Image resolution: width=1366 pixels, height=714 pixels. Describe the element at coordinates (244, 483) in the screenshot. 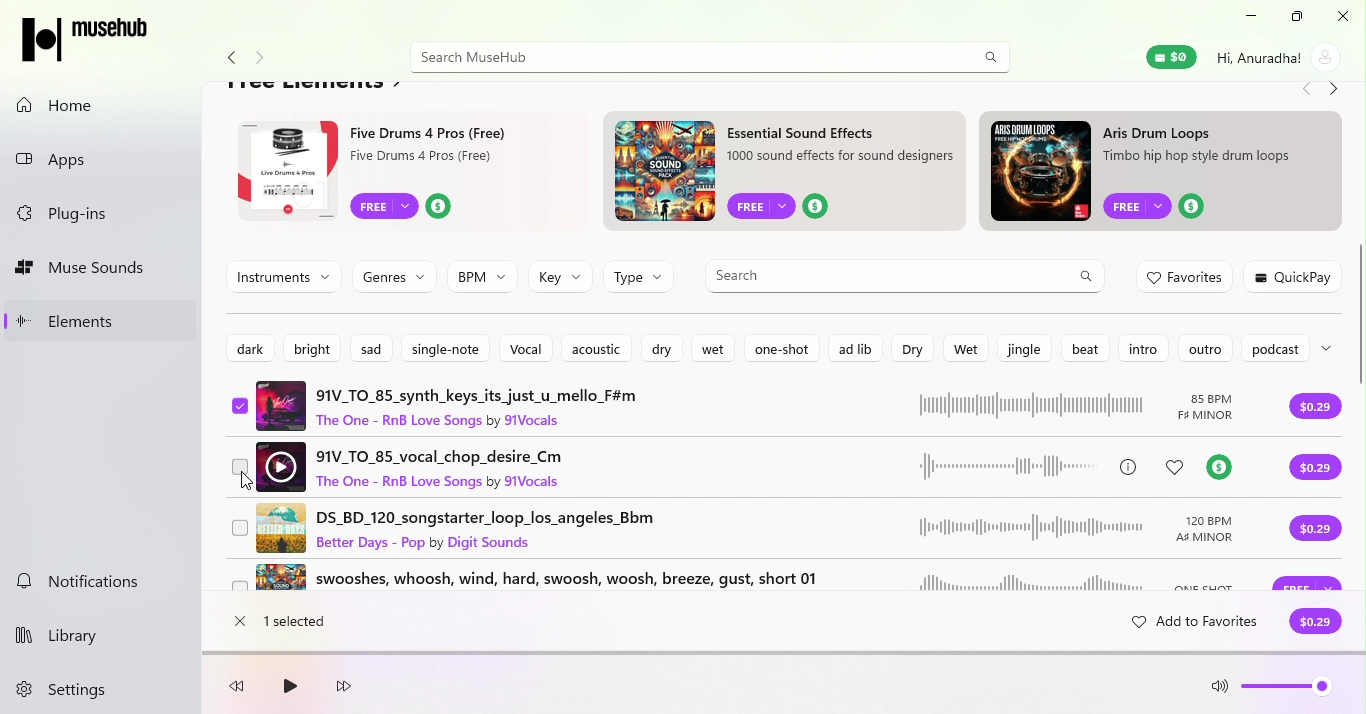

I see `cursor` at that location.